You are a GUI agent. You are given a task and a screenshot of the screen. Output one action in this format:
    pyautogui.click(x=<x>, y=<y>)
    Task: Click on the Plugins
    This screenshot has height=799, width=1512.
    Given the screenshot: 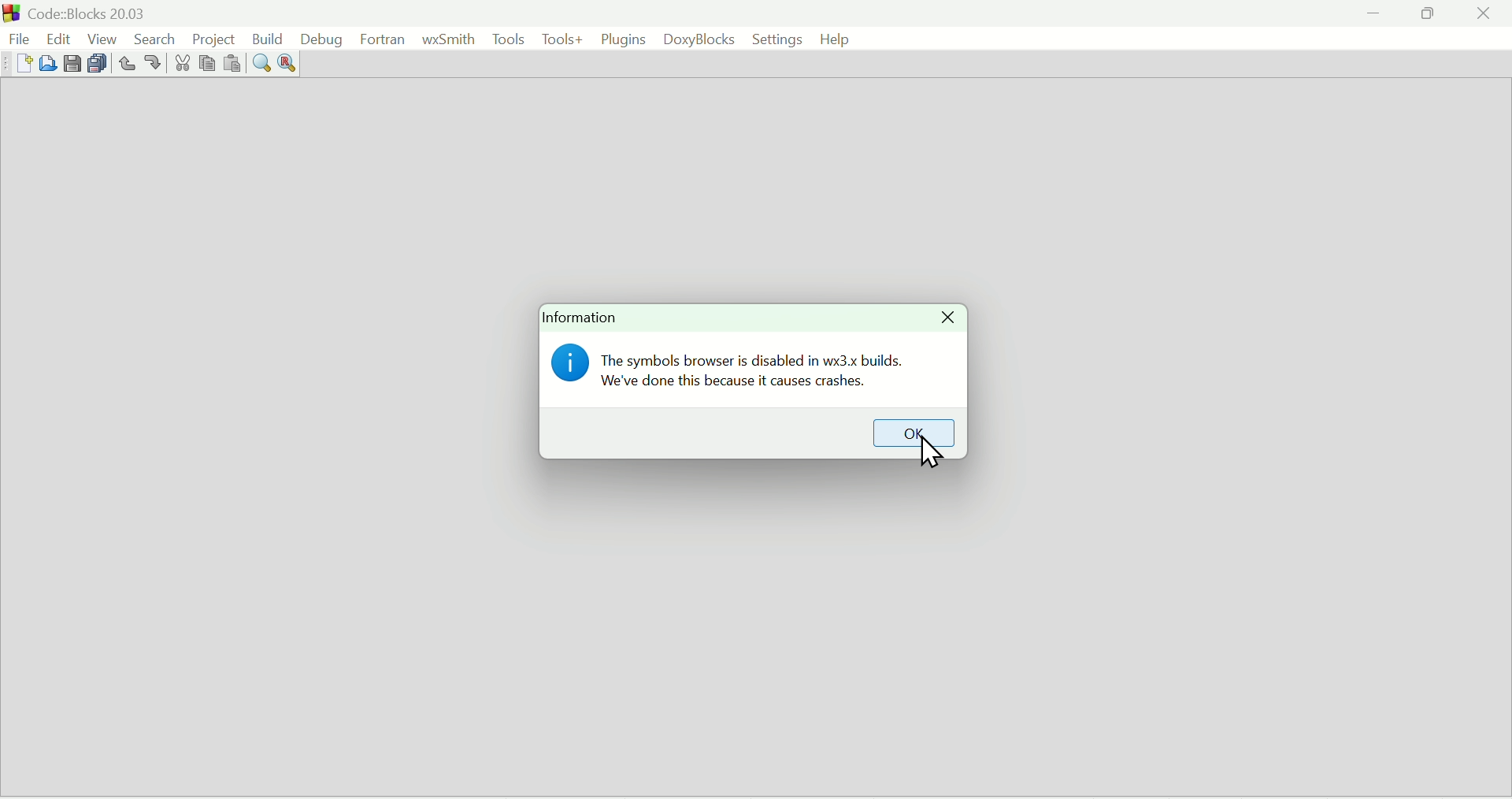 What is the action you would take?
    pyautogui.click(x=623, y=37)
    